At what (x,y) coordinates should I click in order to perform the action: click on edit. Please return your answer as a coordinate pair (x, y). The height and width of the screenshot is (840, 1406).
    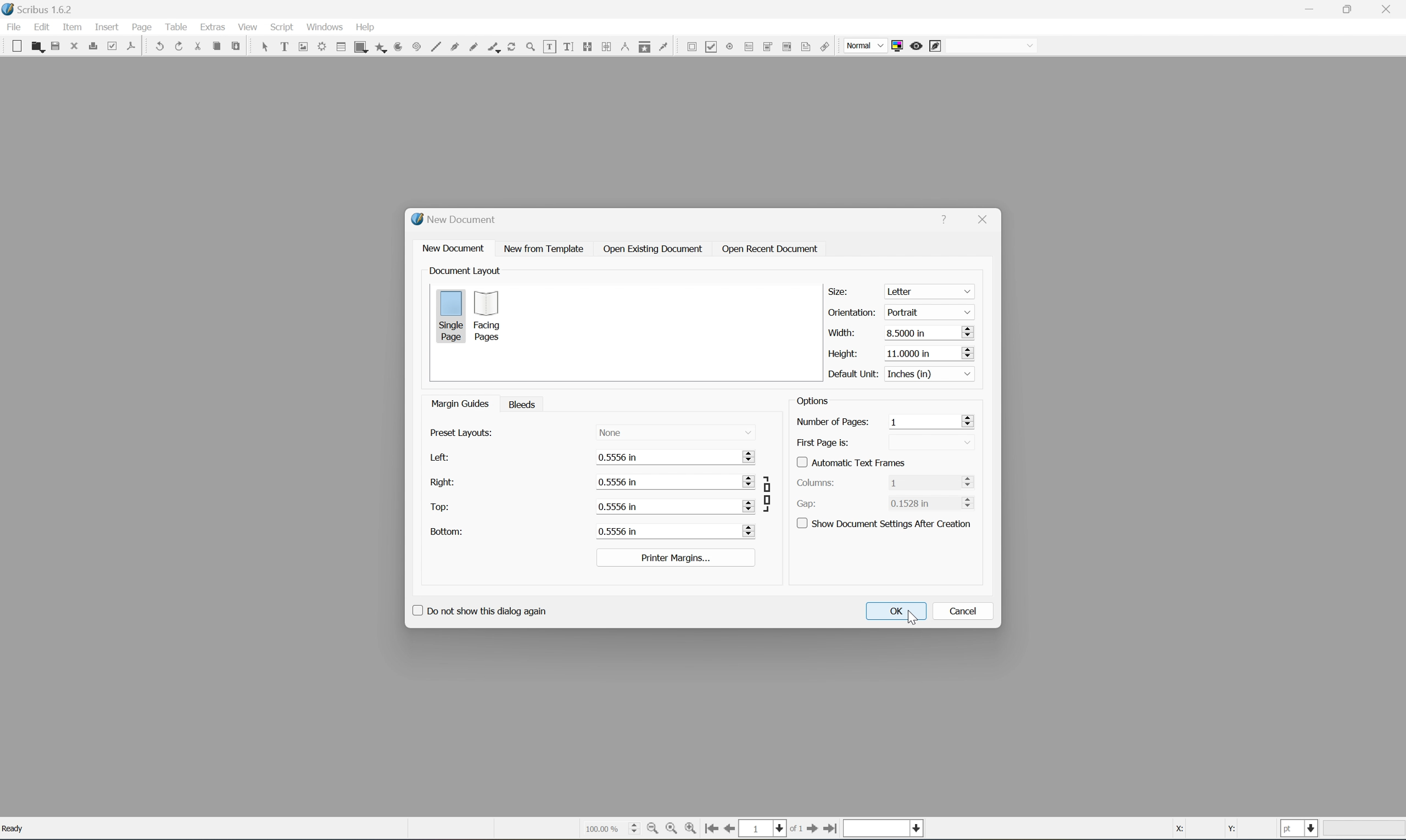
    Looking at the image, I should click on (41, 27).